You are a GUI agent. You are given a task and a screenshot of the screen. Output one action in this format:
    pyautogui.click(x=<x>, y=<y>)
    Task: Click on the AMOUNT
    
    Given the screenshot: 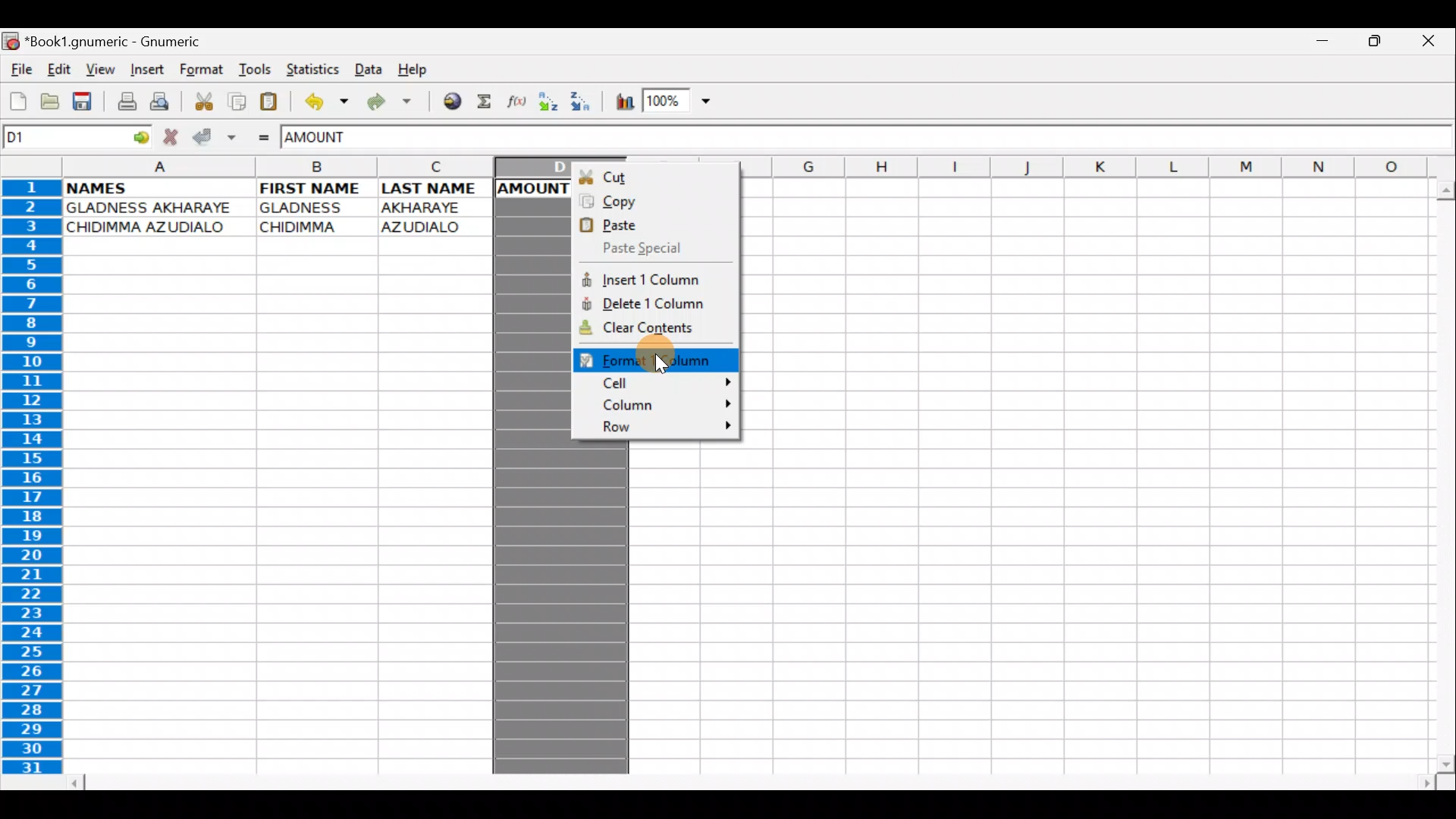 What is the action you would take?
    pyautogui.click(x=332, y=139)
    